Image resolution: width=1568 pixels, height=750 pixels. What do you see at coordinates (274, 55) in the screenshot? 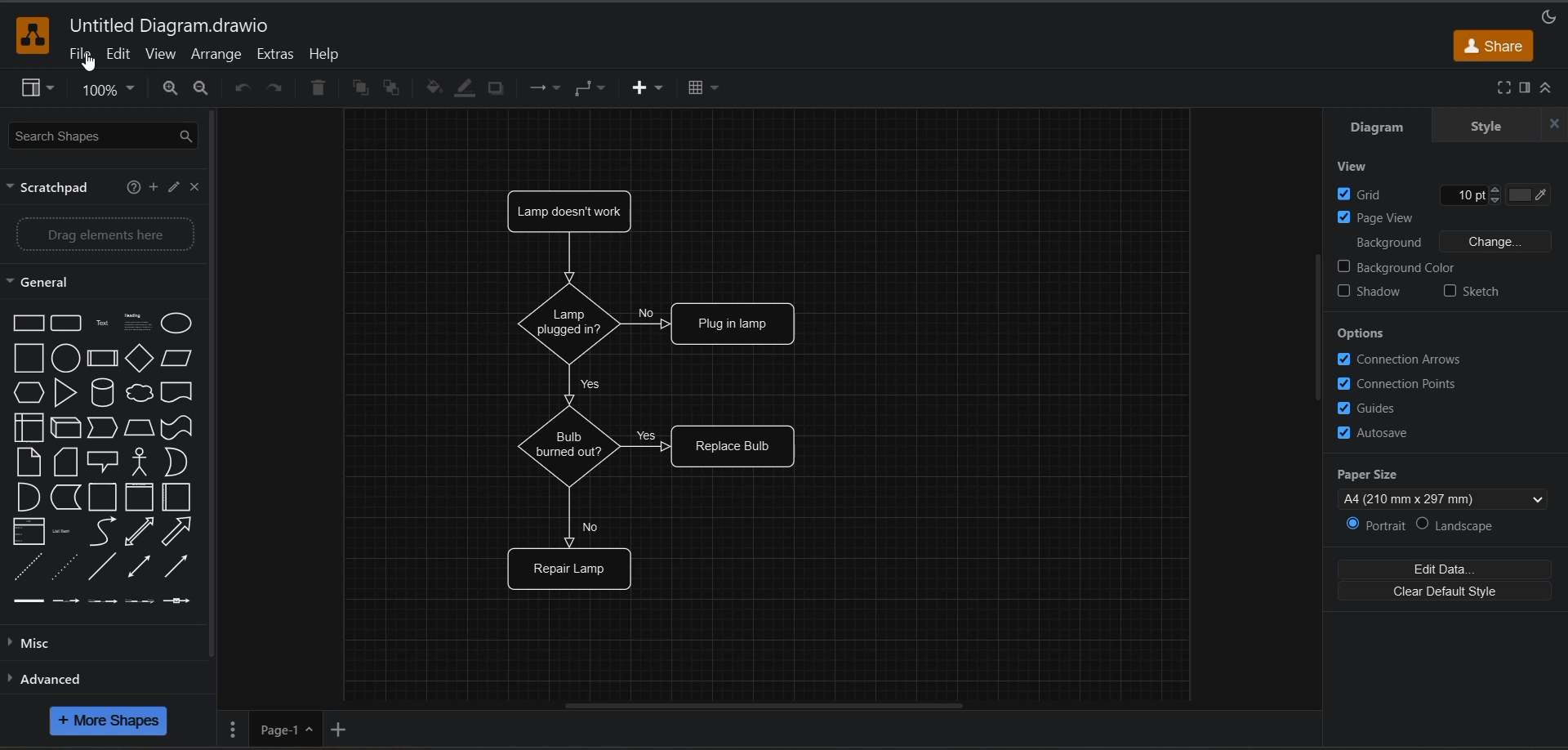
I see `extras` at bounding box center [274, 55].